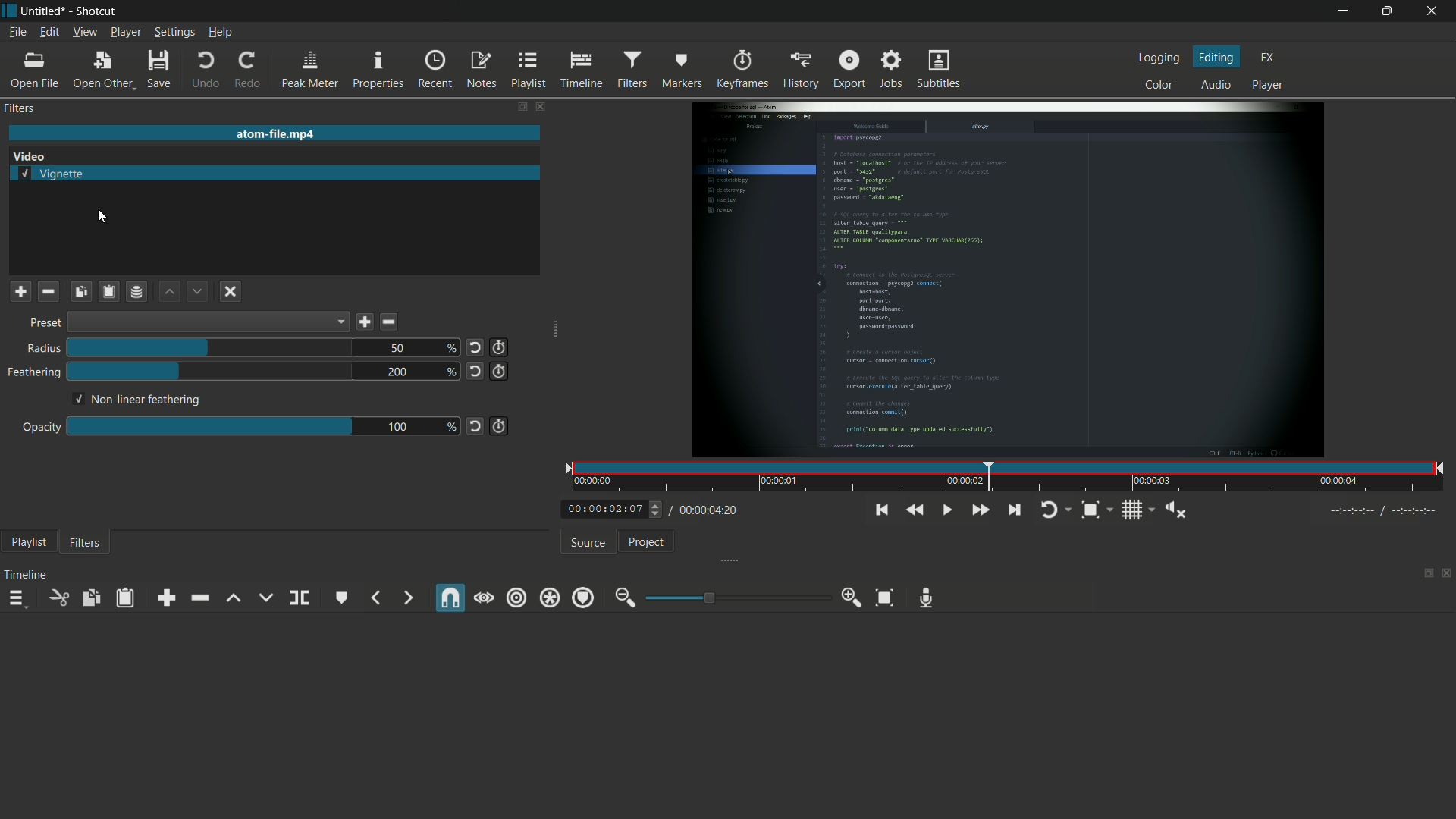  I want to click on toggle play or pause, so click(946, 508).